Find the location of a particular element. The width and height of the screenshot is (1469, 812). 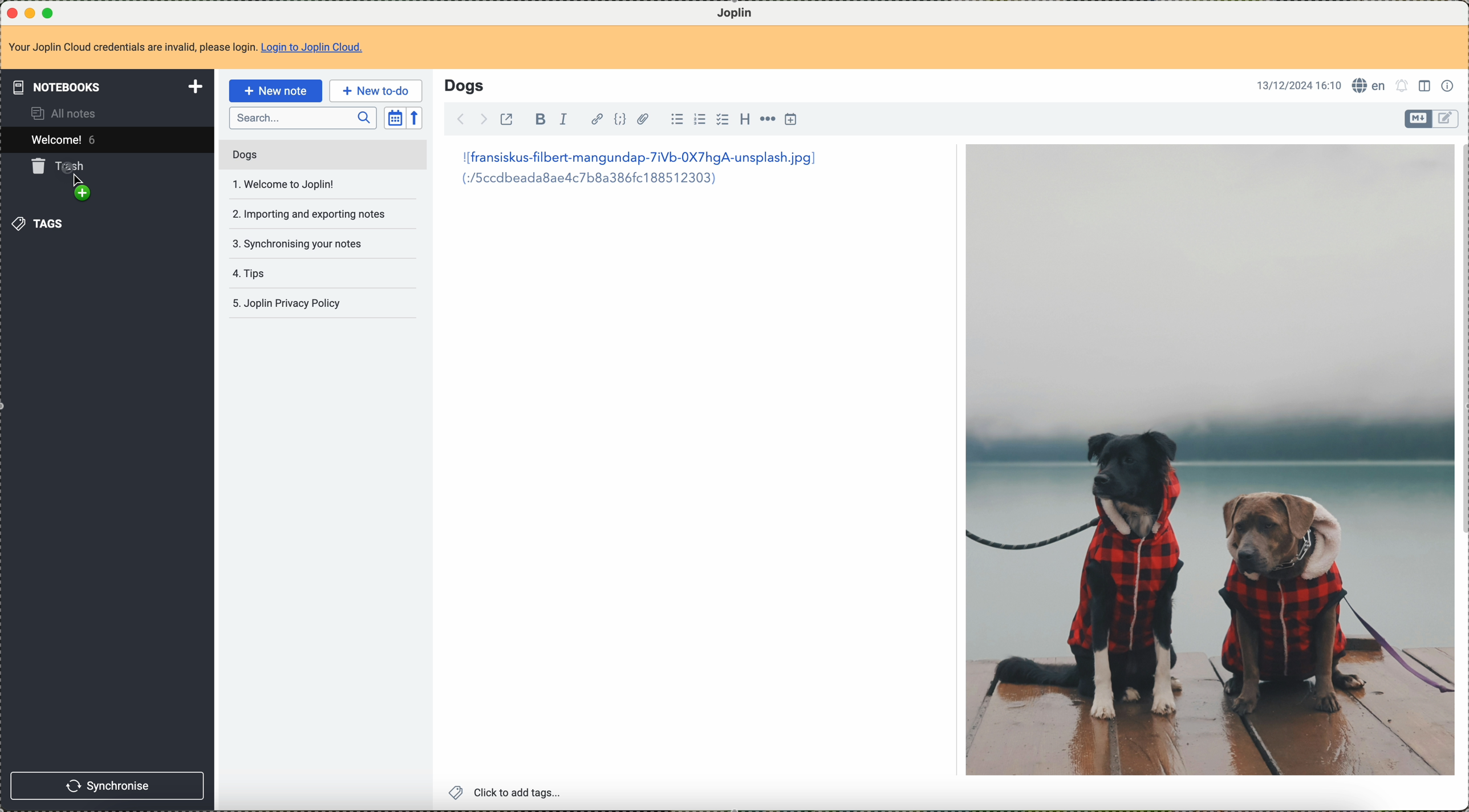

toggle sort order field is located at coordinates (394, 117).